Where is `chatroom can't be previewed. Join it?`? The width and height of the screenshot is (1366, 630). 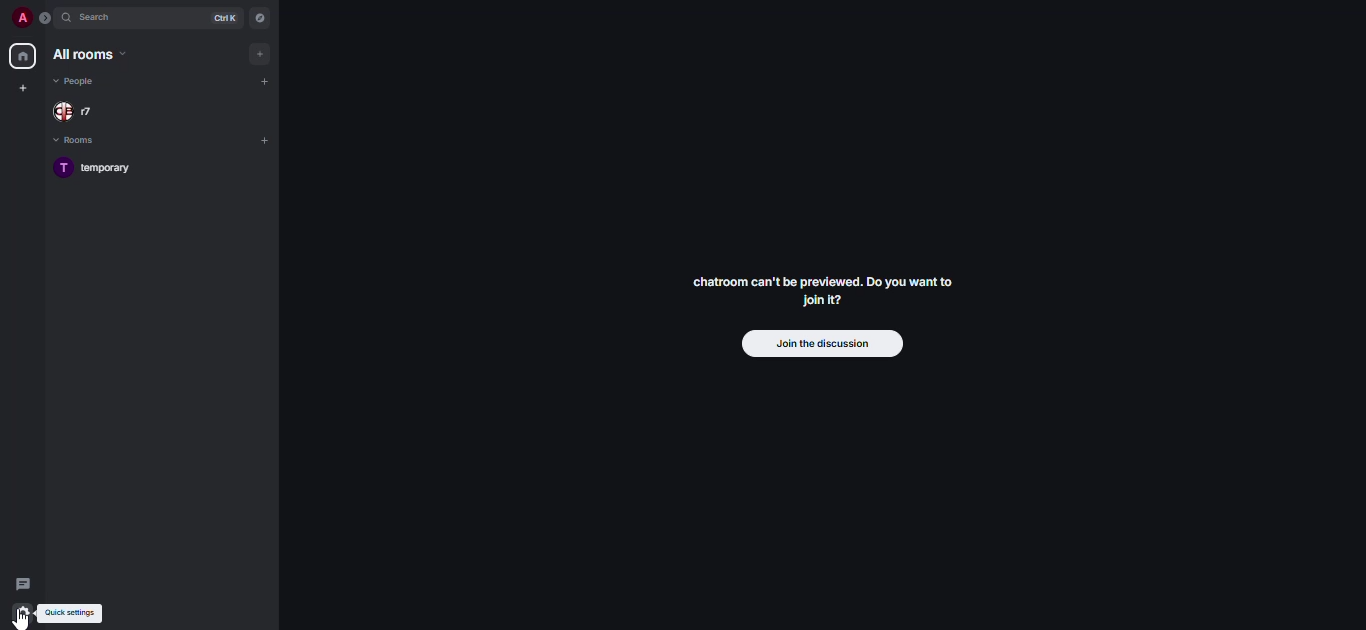 chatroom can't be previewed. Join it? is located at coordinates (829, 288).